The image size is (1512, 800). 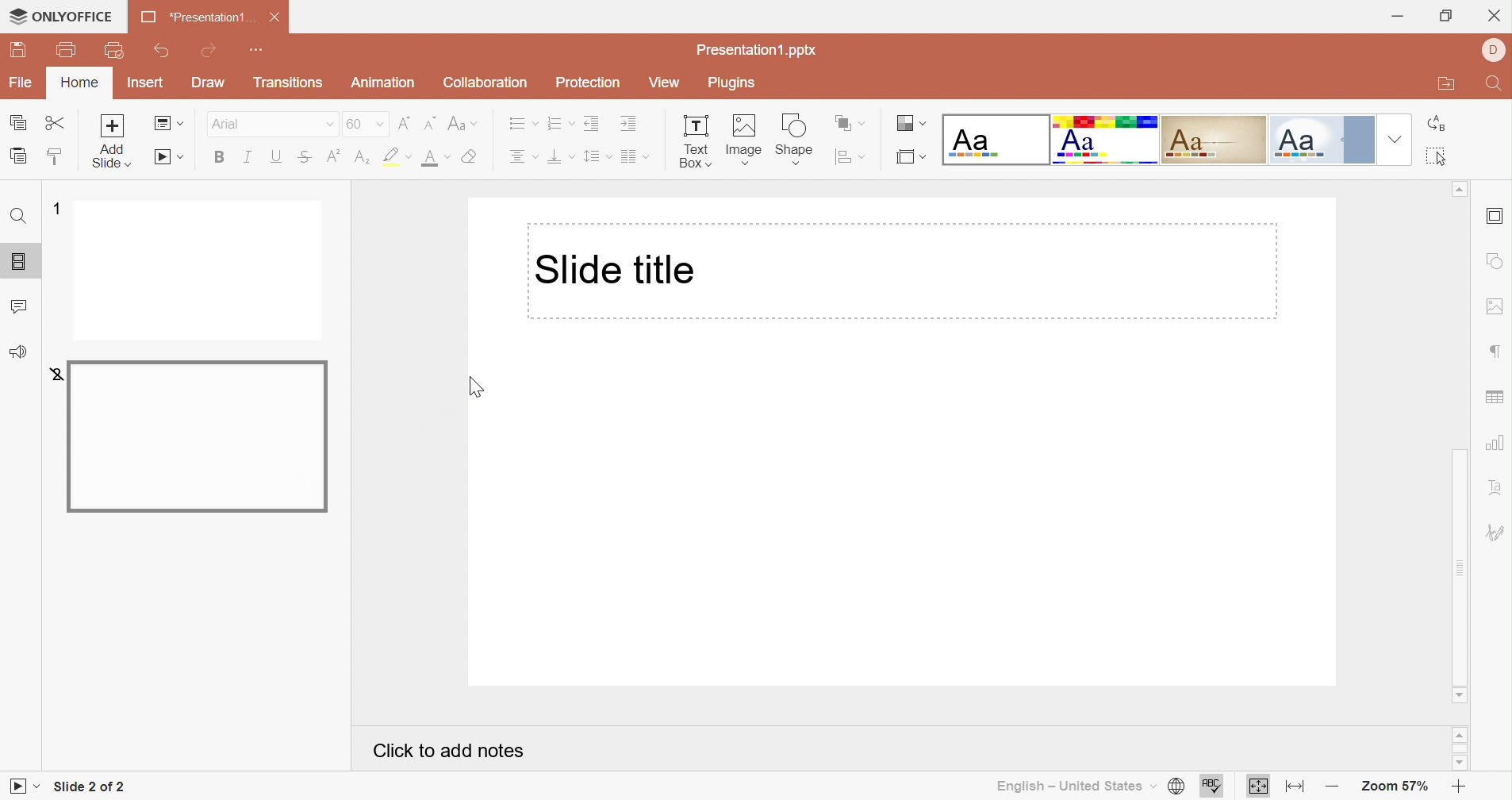 I want to click on Line spacing, so click(x=598, y=156).